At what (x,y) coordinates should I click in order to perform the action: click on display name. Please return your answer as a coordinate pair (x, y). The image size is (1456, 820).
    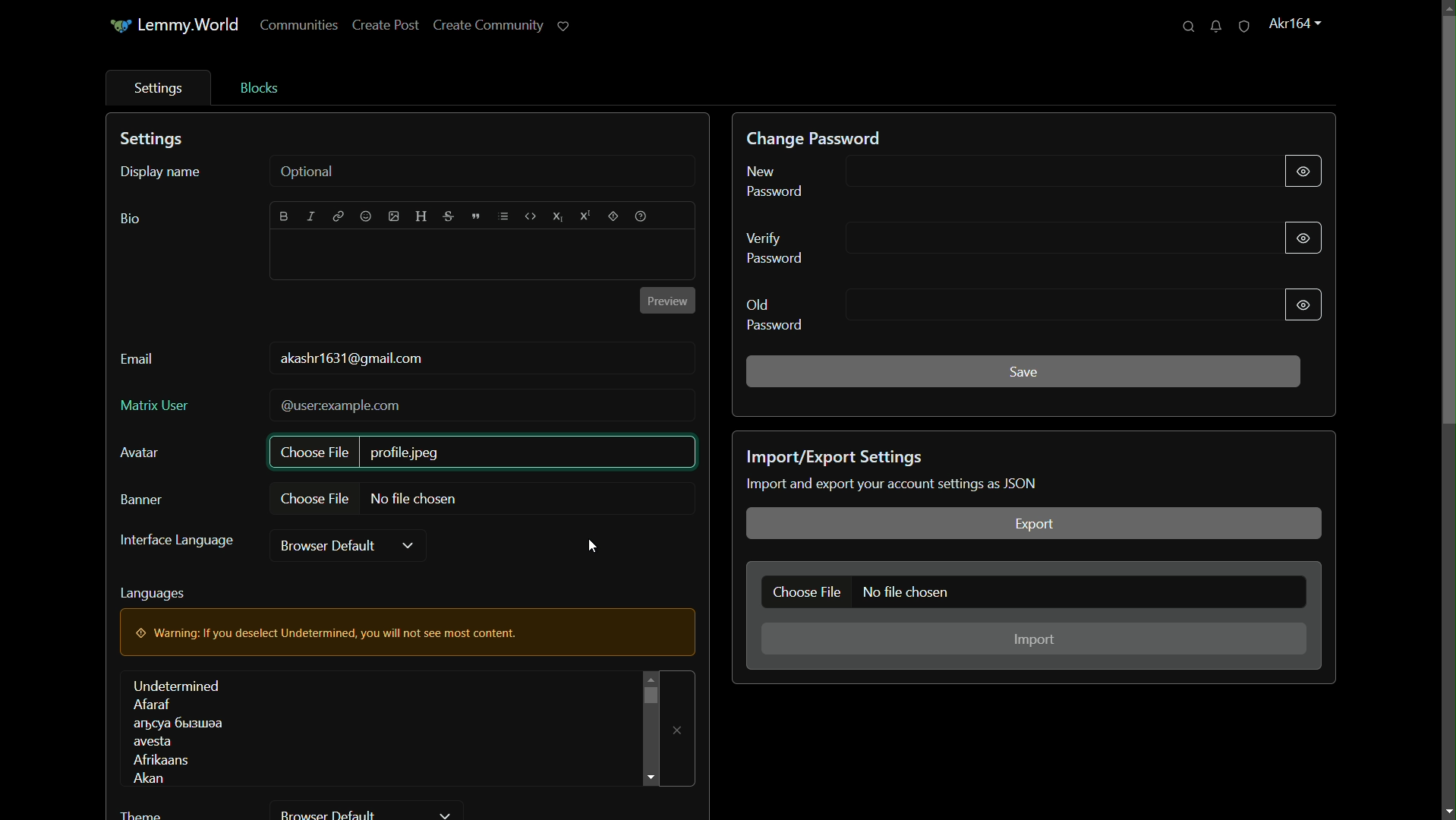
    Looking at the image, I should click on (159, 172).